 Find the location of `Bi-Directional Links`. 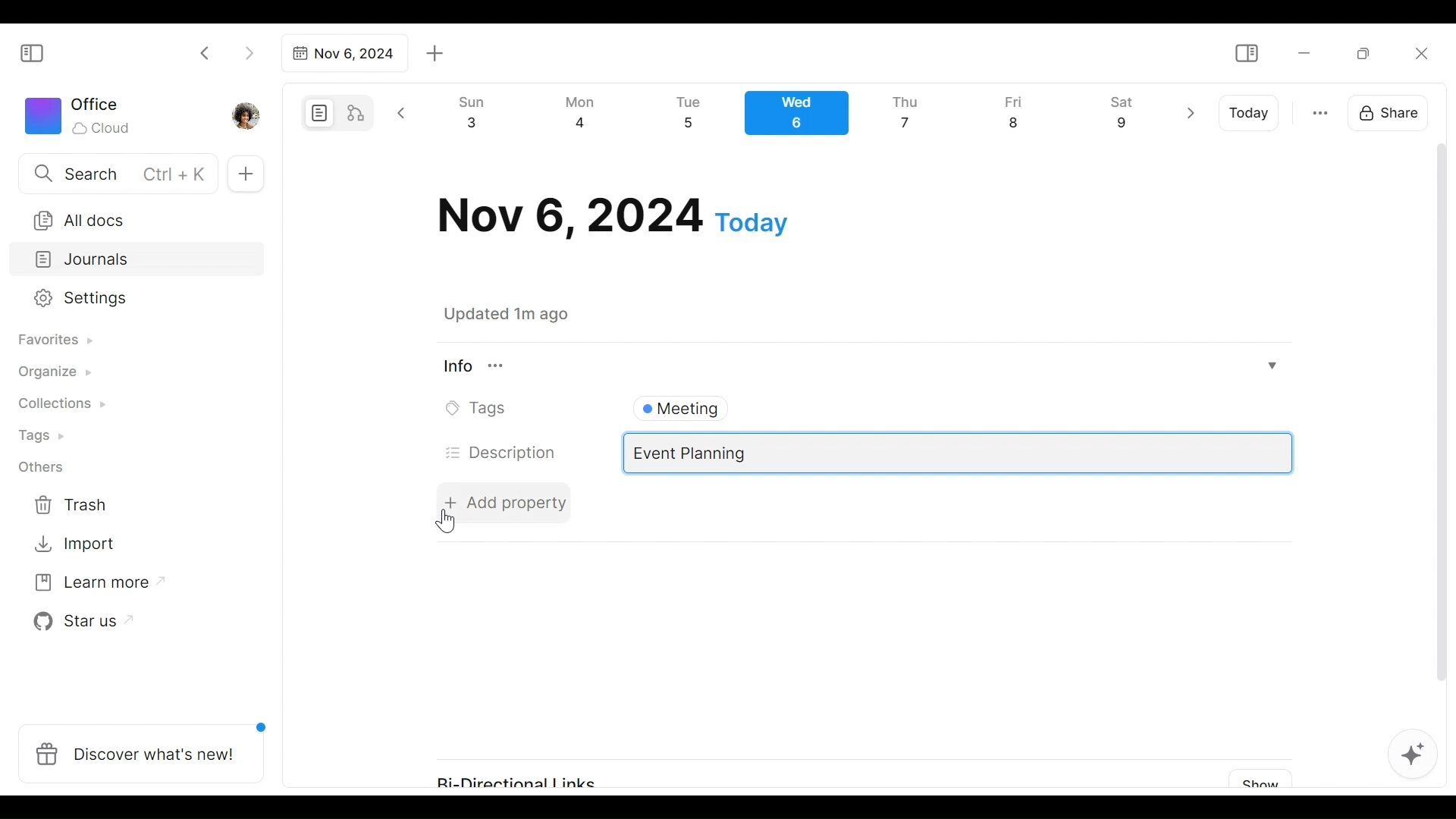

Bi-Directional Links is located at coordinates (529, 775).